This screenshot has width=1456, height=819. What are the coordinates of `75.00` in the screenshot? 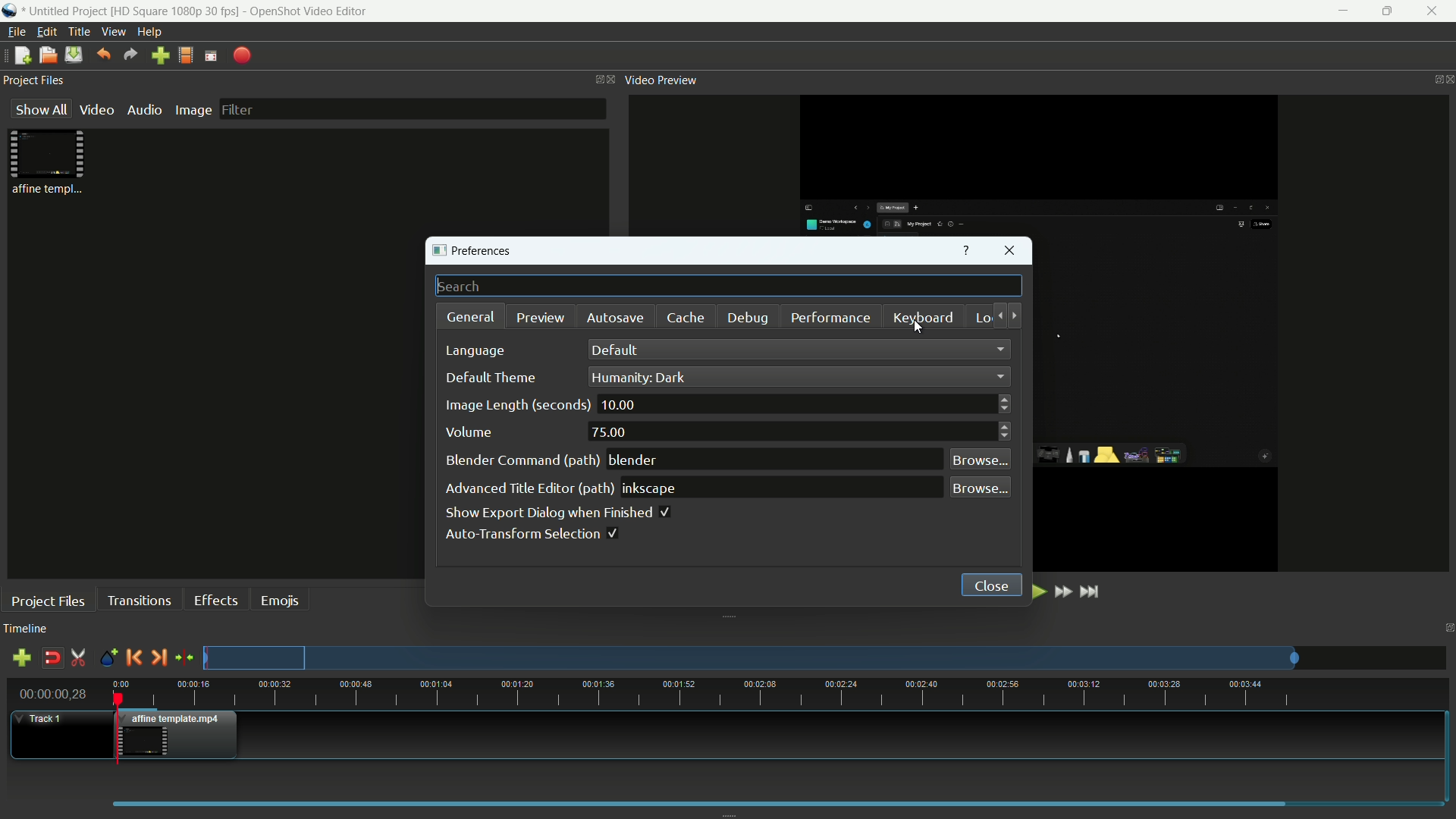 It's located at (608, 433).